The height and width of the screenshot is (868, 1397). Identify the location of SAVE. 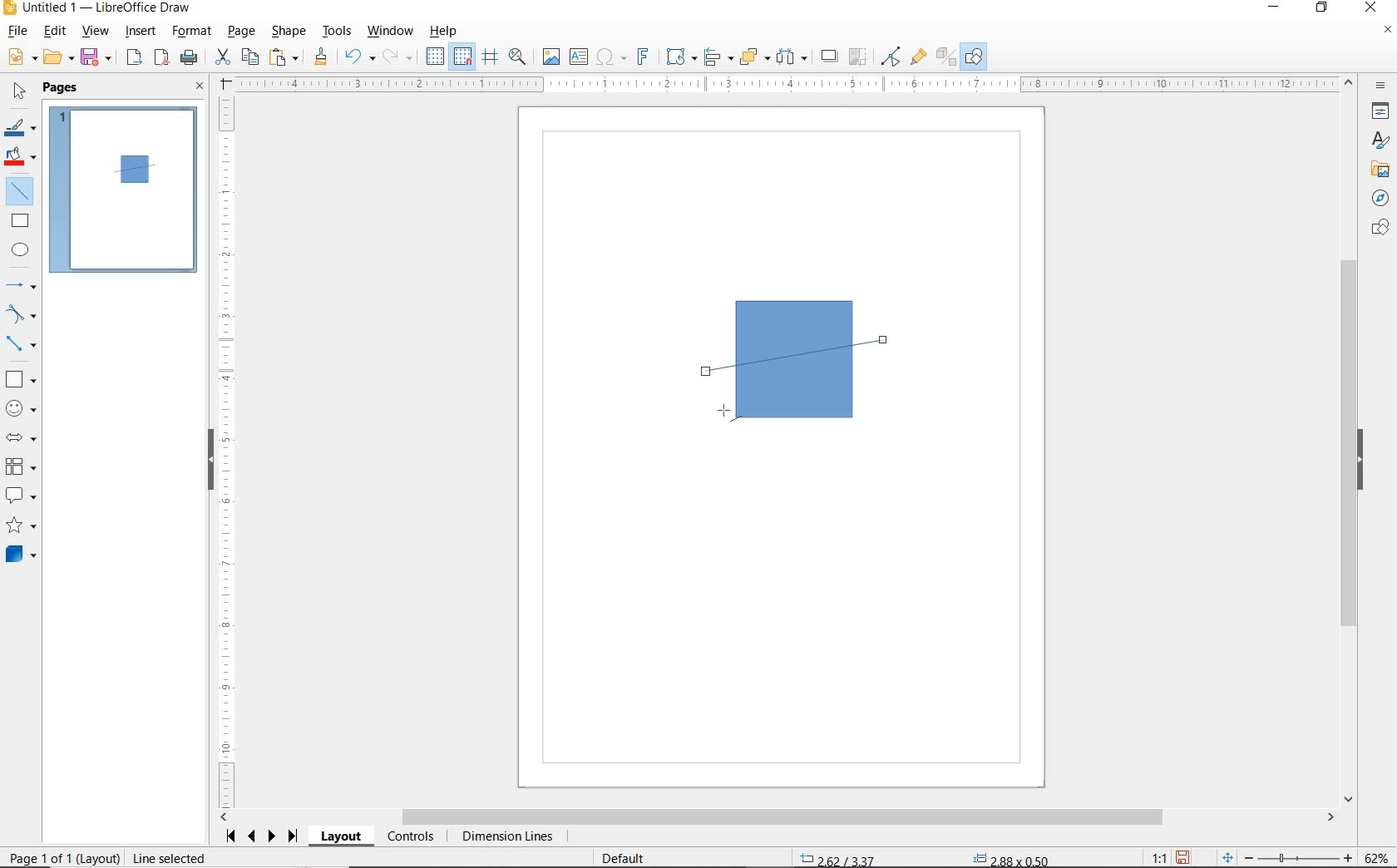
(97, 58).